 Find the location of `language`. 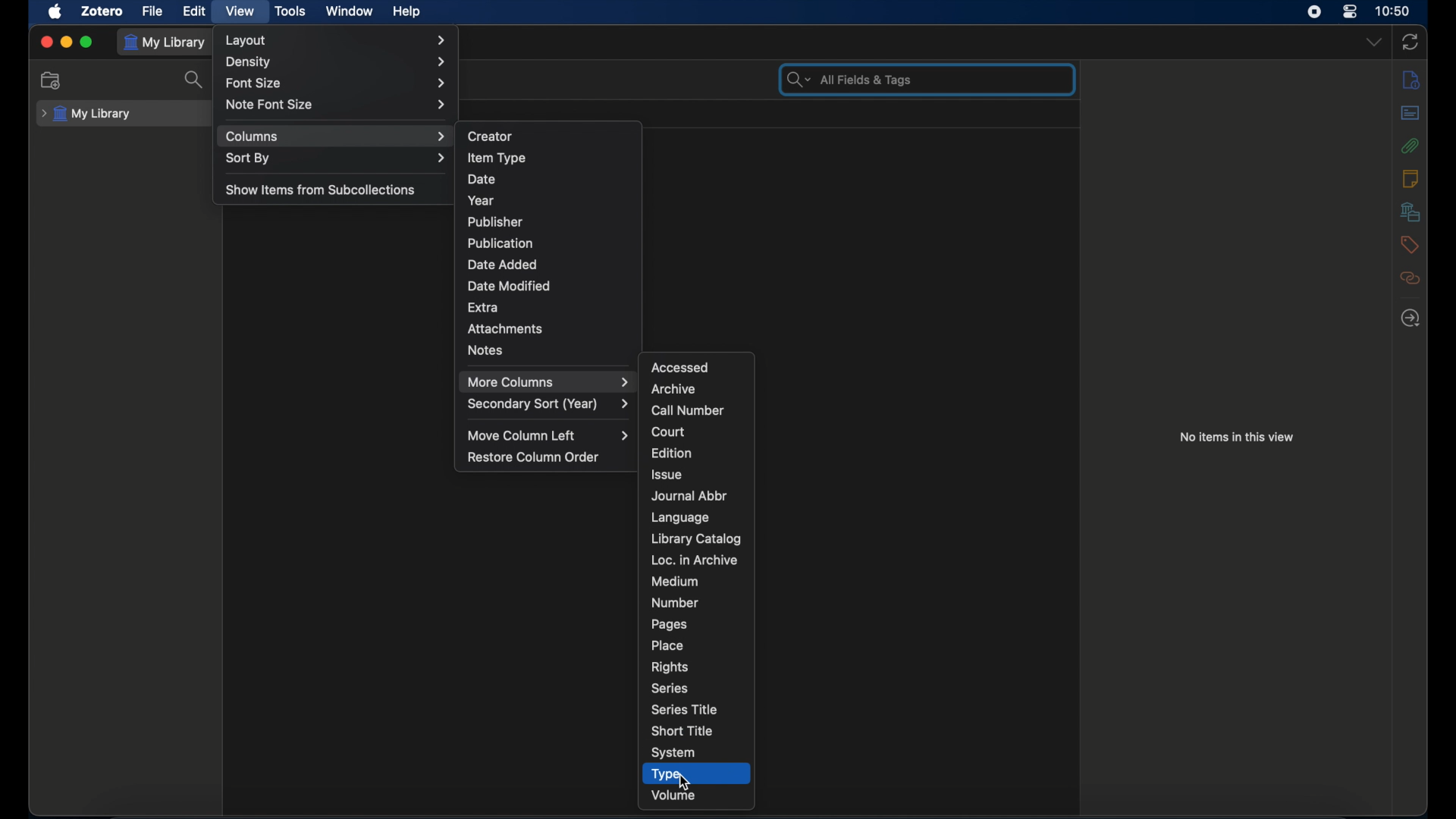

language is located at coordinates (682, 516).